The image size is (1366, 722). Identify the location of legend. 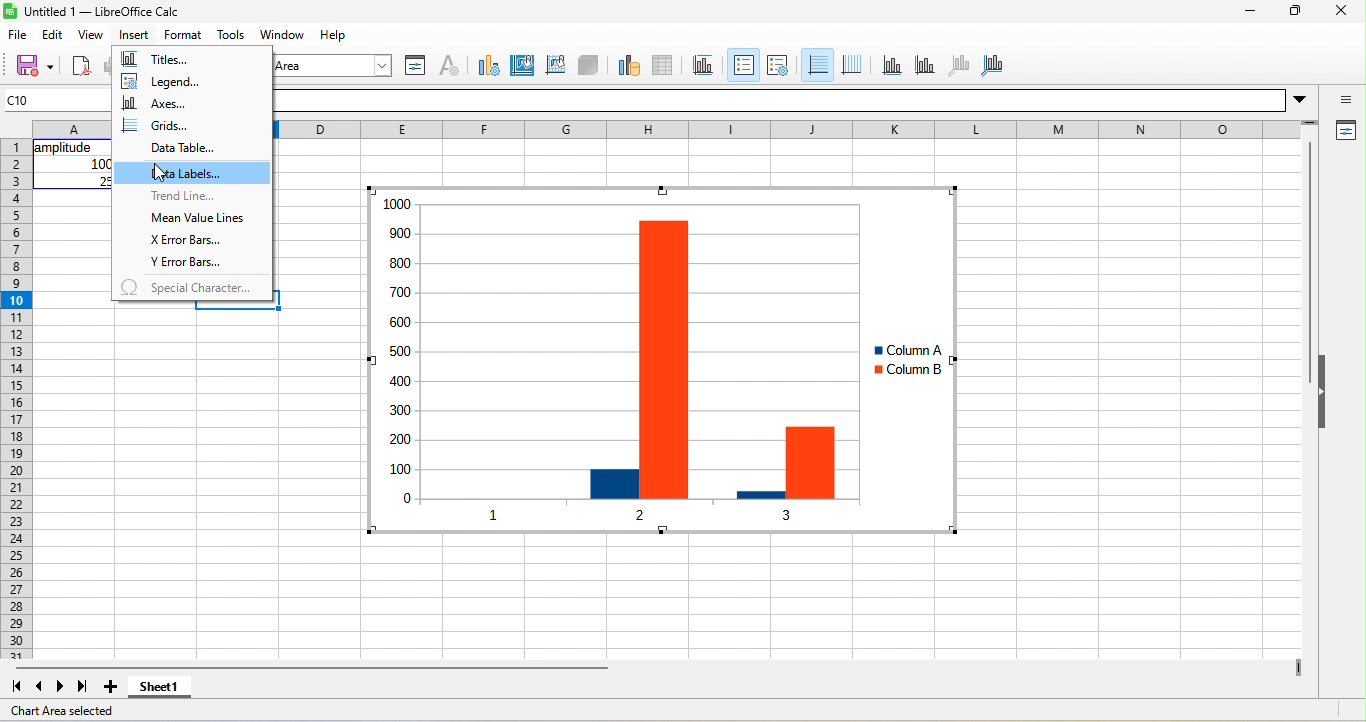
(181, 84).